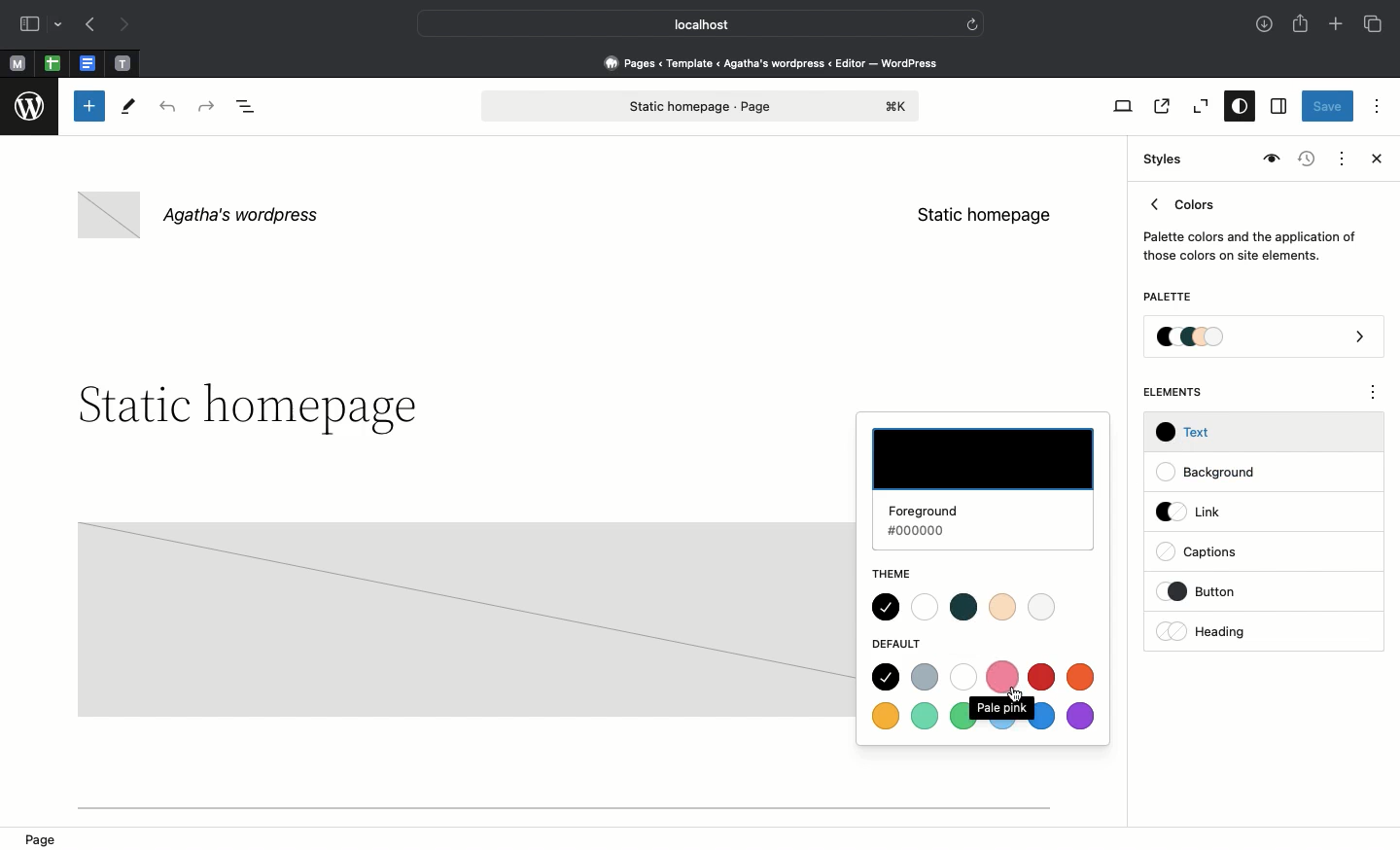  Describe the element at coordinates (1250, 226) in the screenshot. I see `Colors` at that location.